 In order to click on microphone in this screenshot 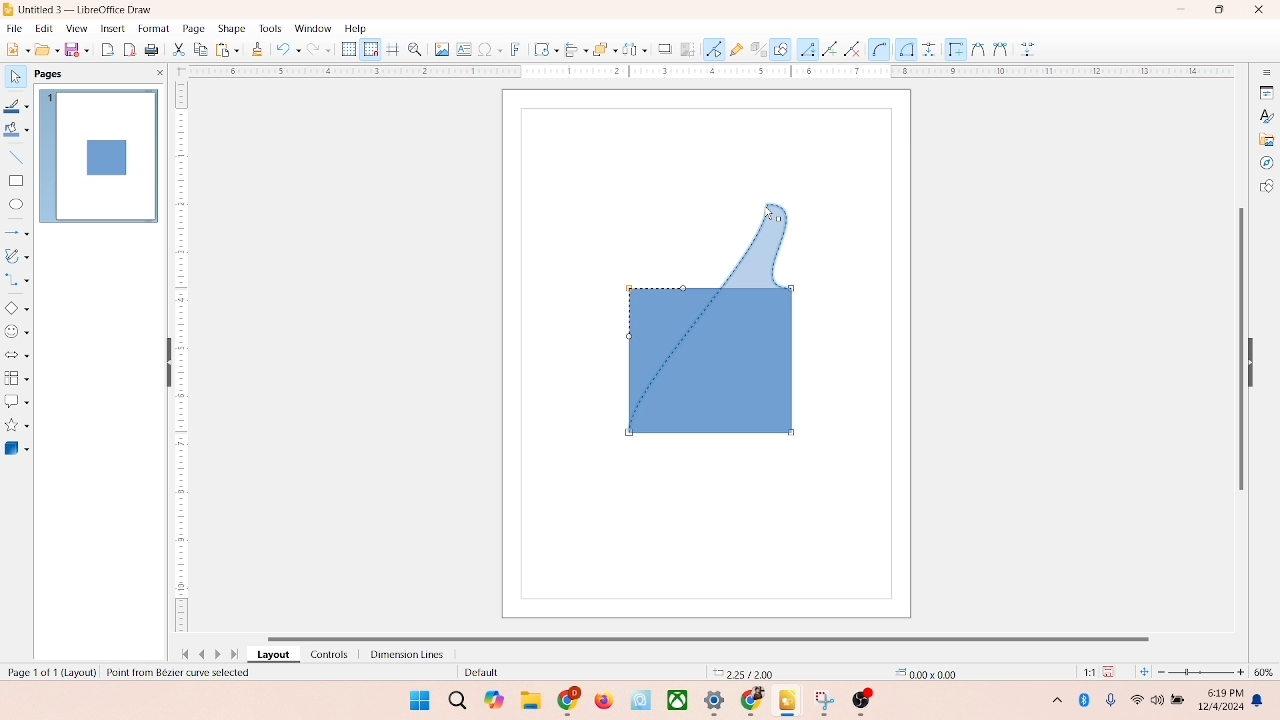, I will do `click(1112, 701)`.